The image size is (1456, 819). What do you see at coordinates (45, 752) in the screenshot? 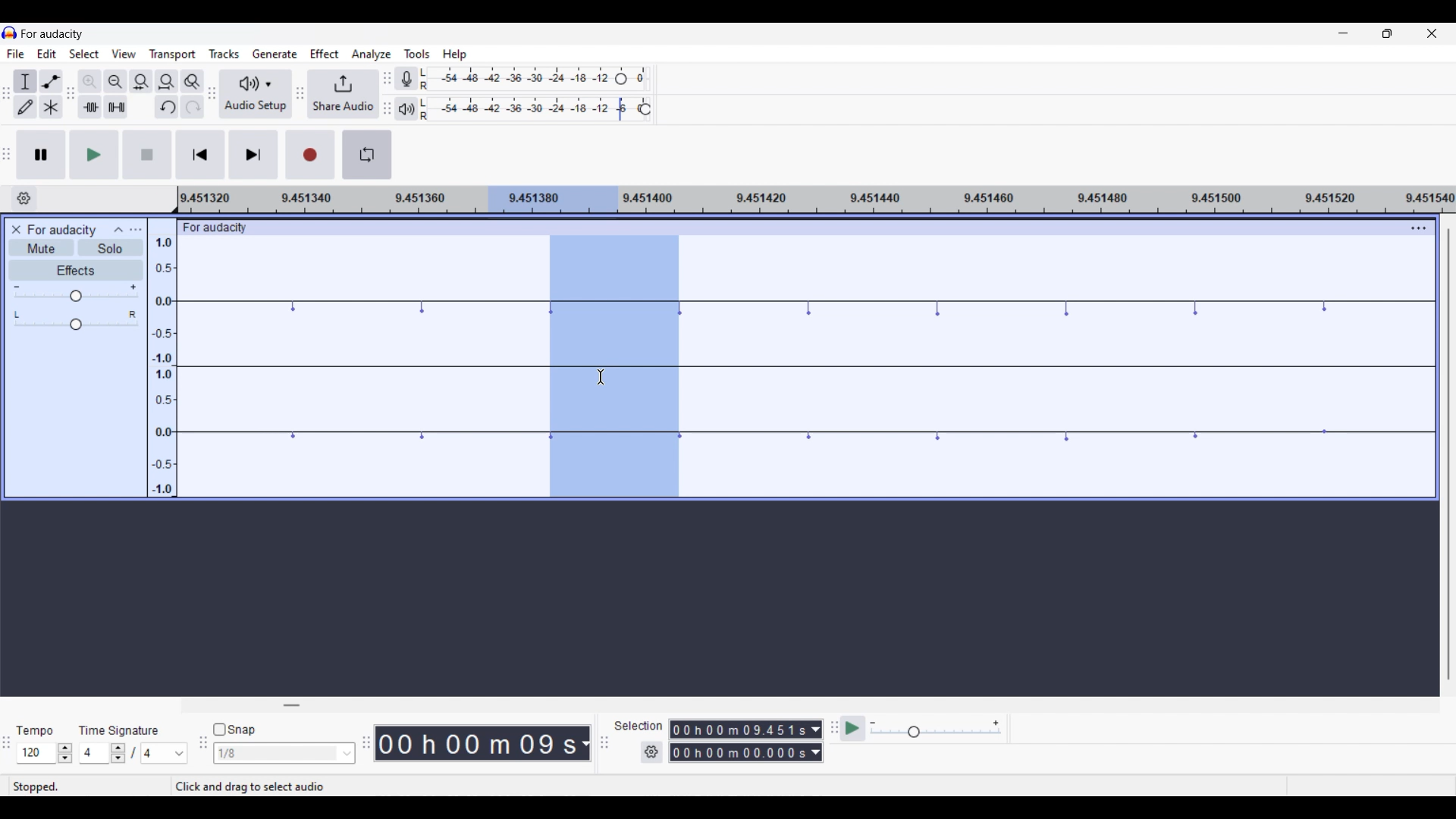
I see `Tempo settings` at bounding box center [45, 752].